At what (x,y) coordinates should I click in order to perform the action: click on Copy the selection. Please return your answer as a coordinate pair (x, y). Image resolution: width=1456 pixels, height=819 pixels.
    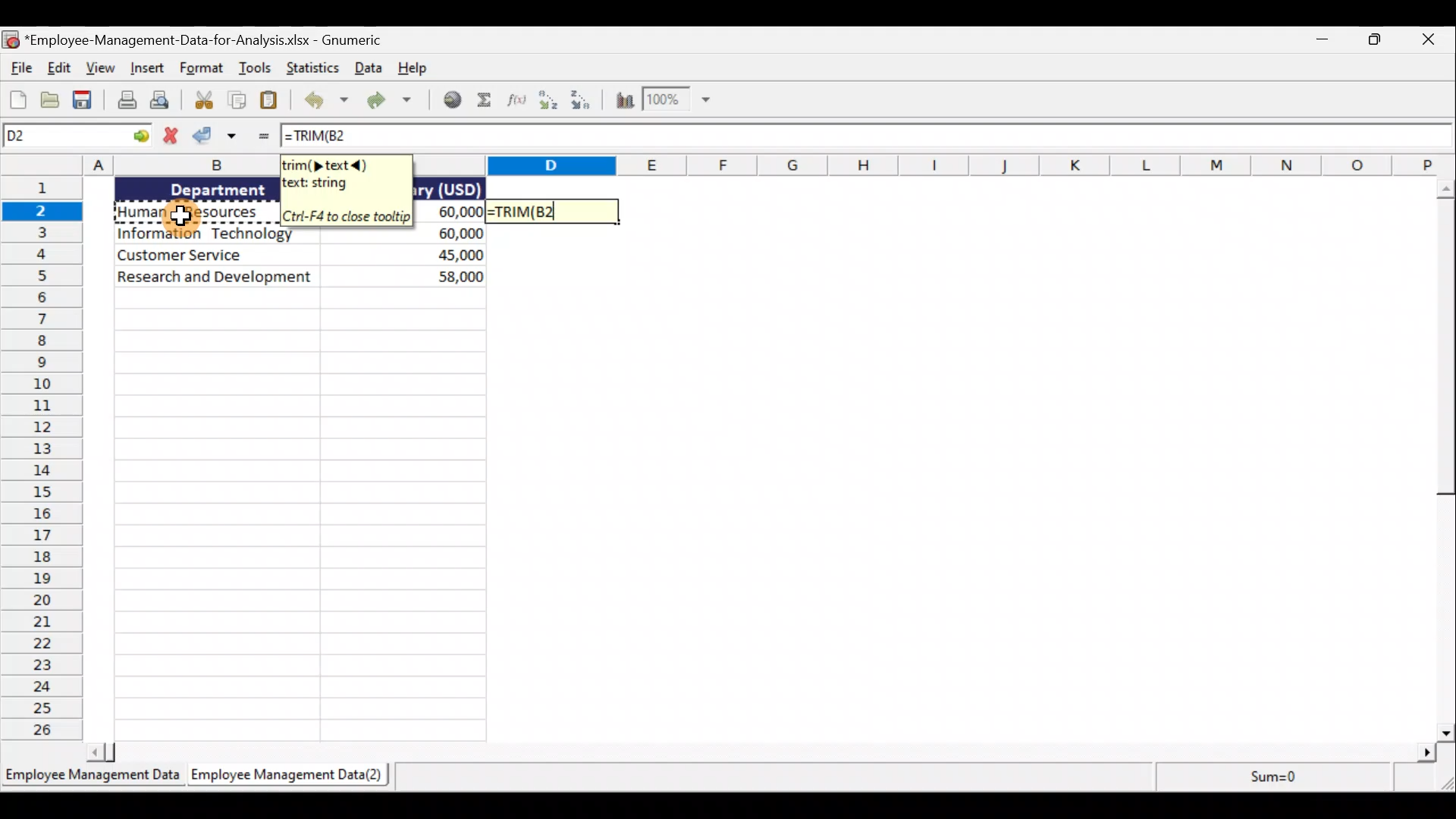
    Looking at the image, I should click on (238, 100).